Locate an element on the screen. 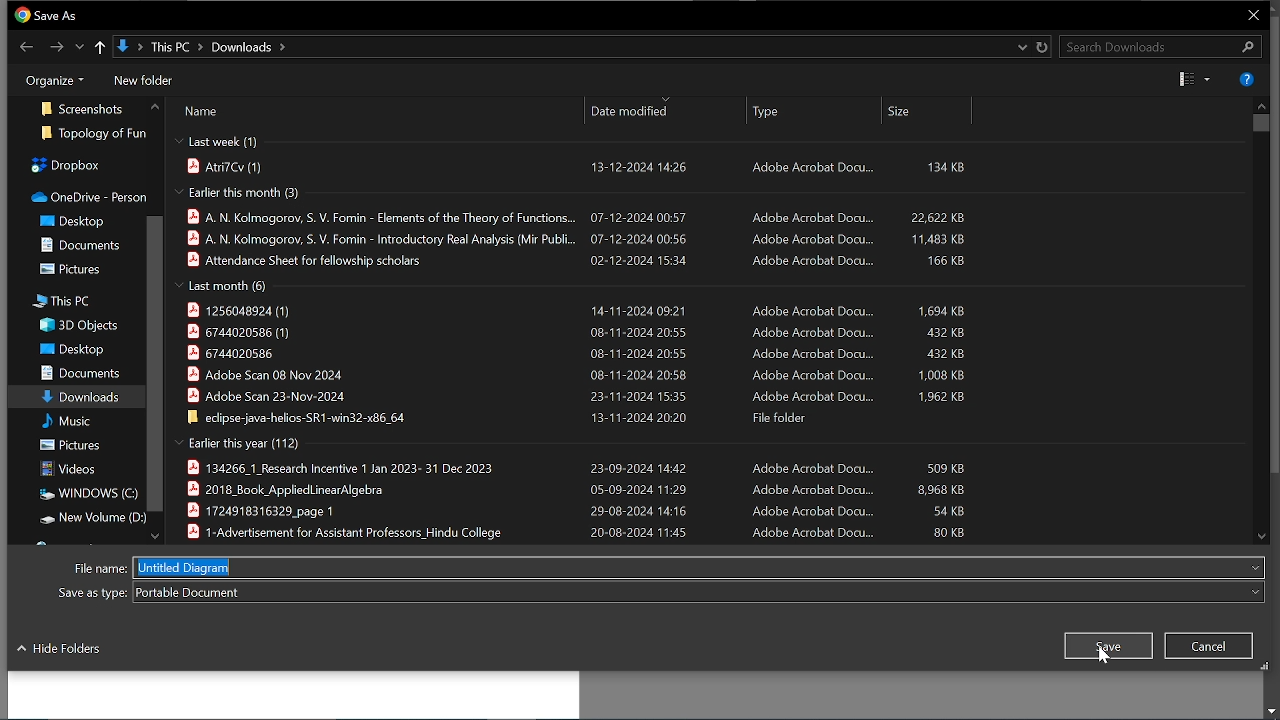 This screenshot has width=1280, height=720. Vertical scrollbar for files is located at coordinates (1257, 124).